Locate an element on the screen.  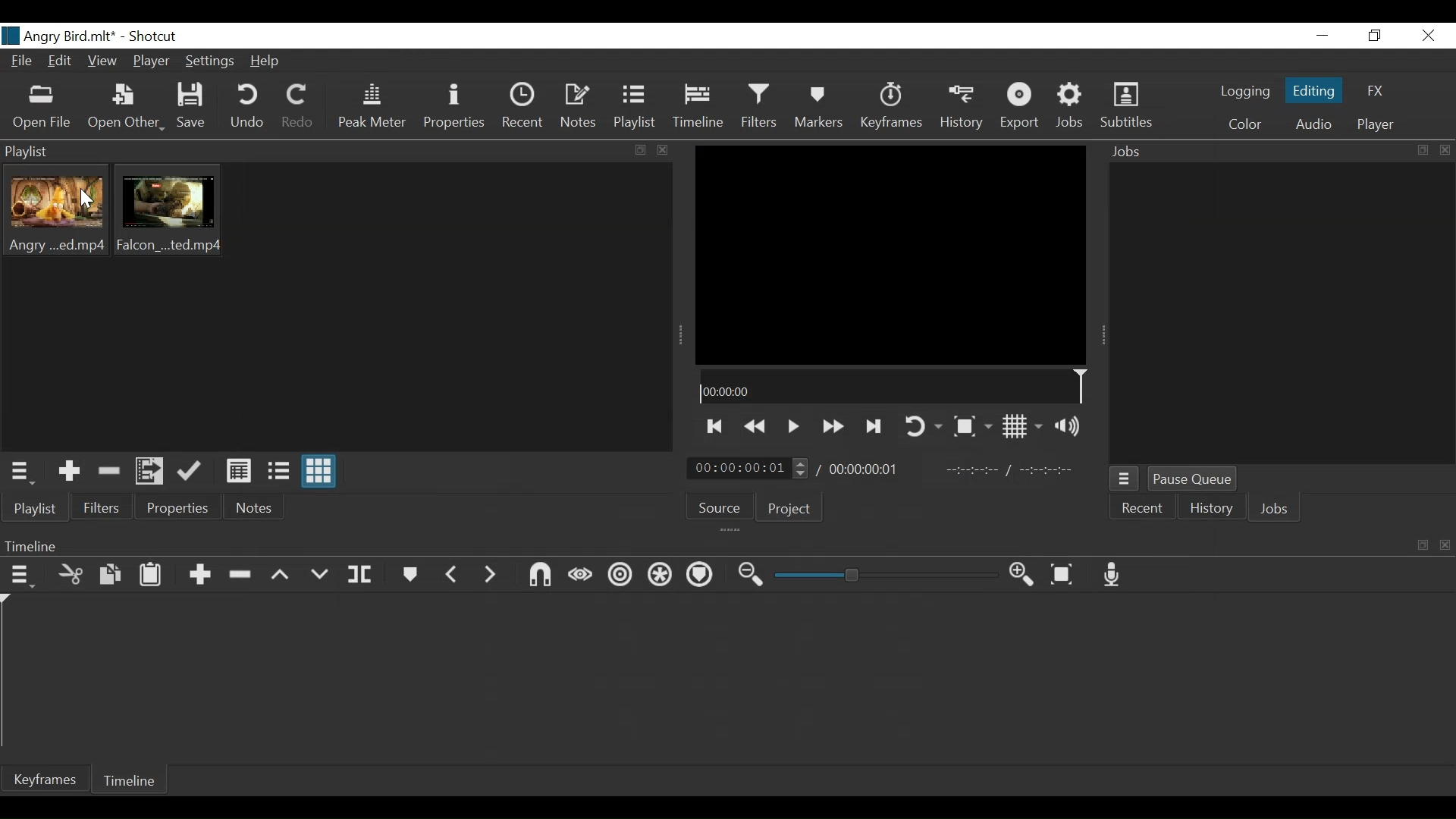
Project is located at coordinates (789, 507).